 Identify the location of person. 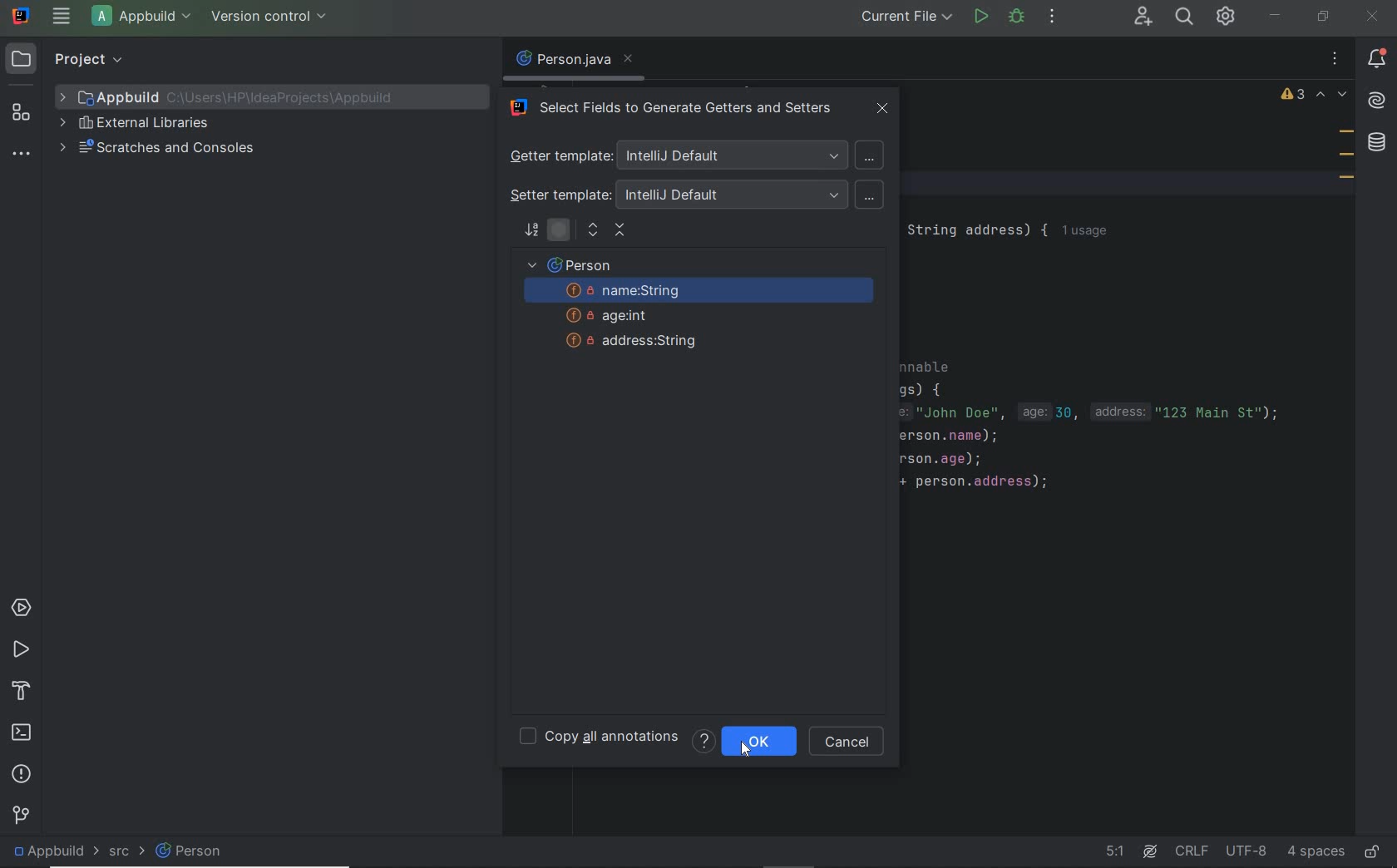
(205, 855).